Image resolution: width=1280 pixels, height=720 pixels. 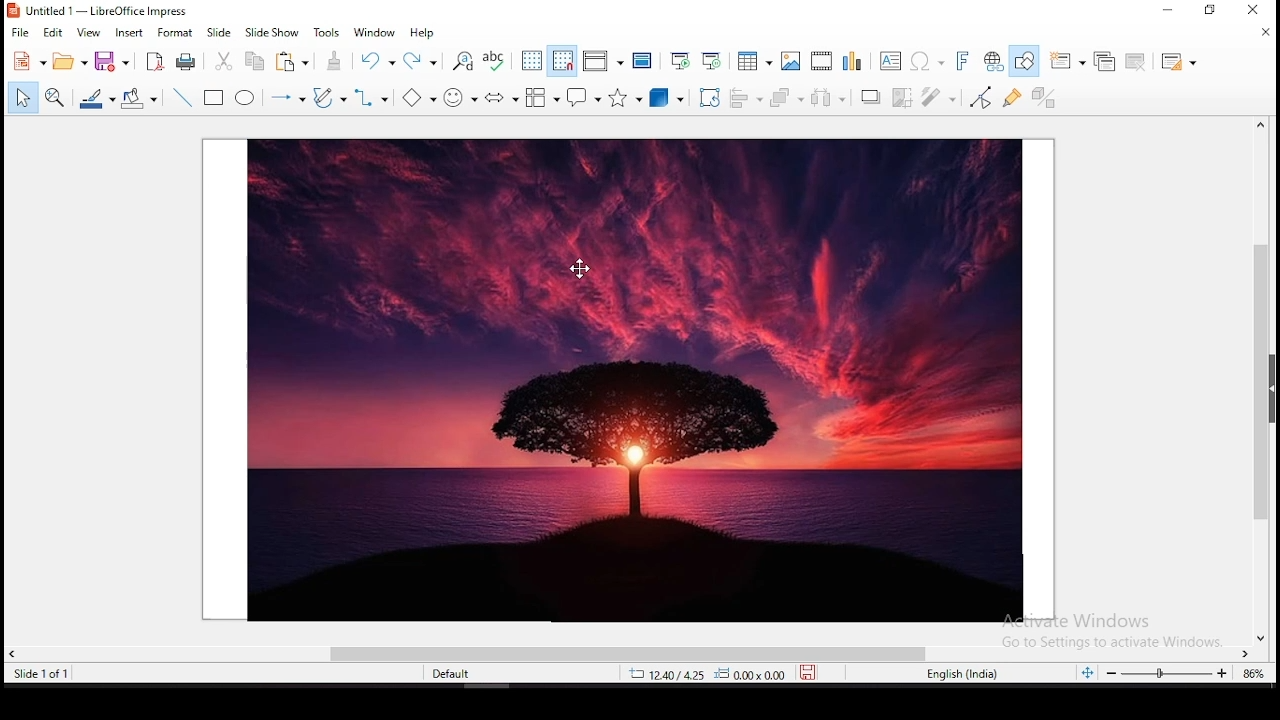 What do you see at coordinates (925, 61) in the screenshot?
I see `insert special characters` at bounding box center [925, 61].